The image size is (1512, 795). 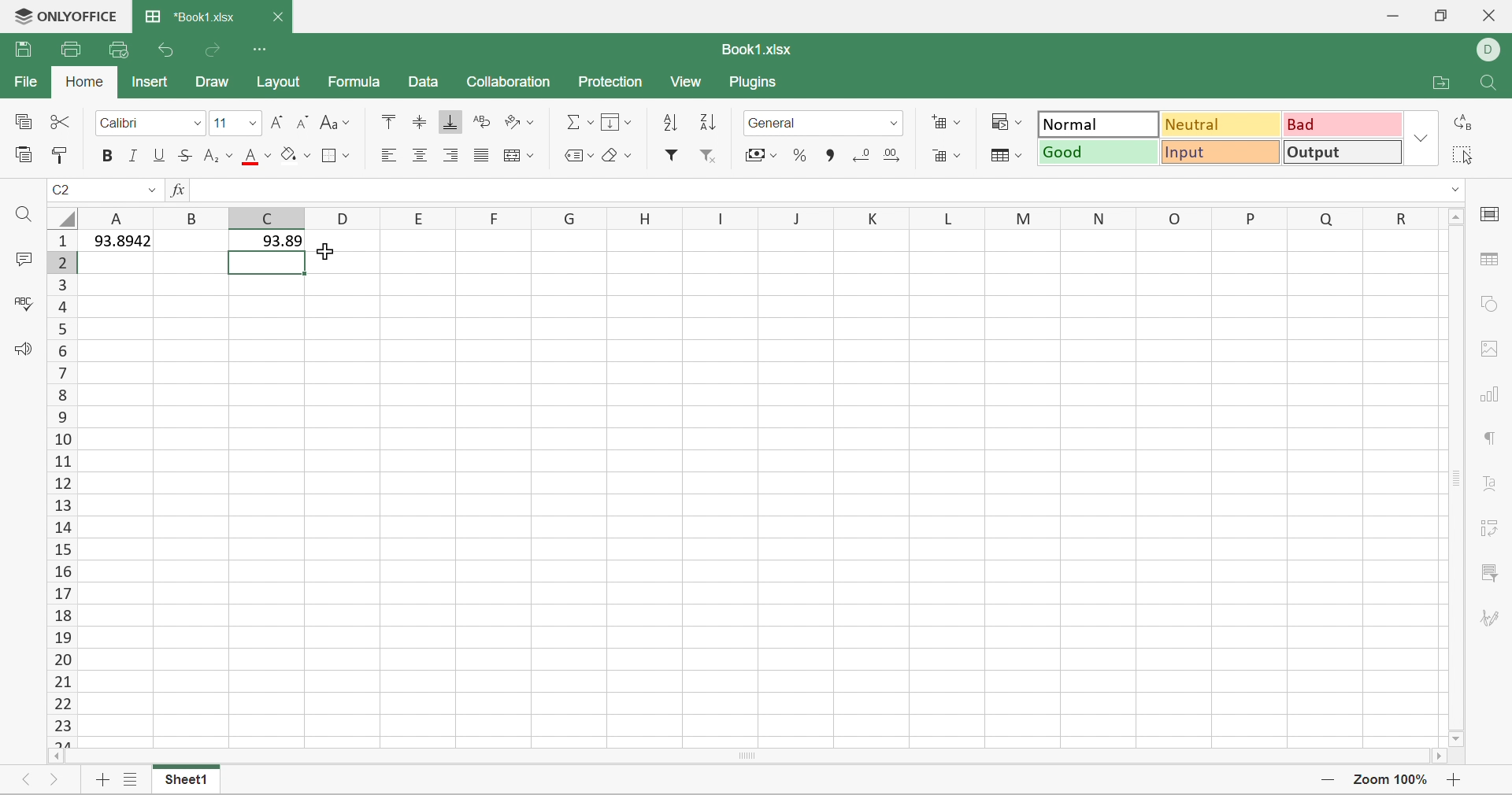 I want to click on Drop Down, so click(x=893, y=121).